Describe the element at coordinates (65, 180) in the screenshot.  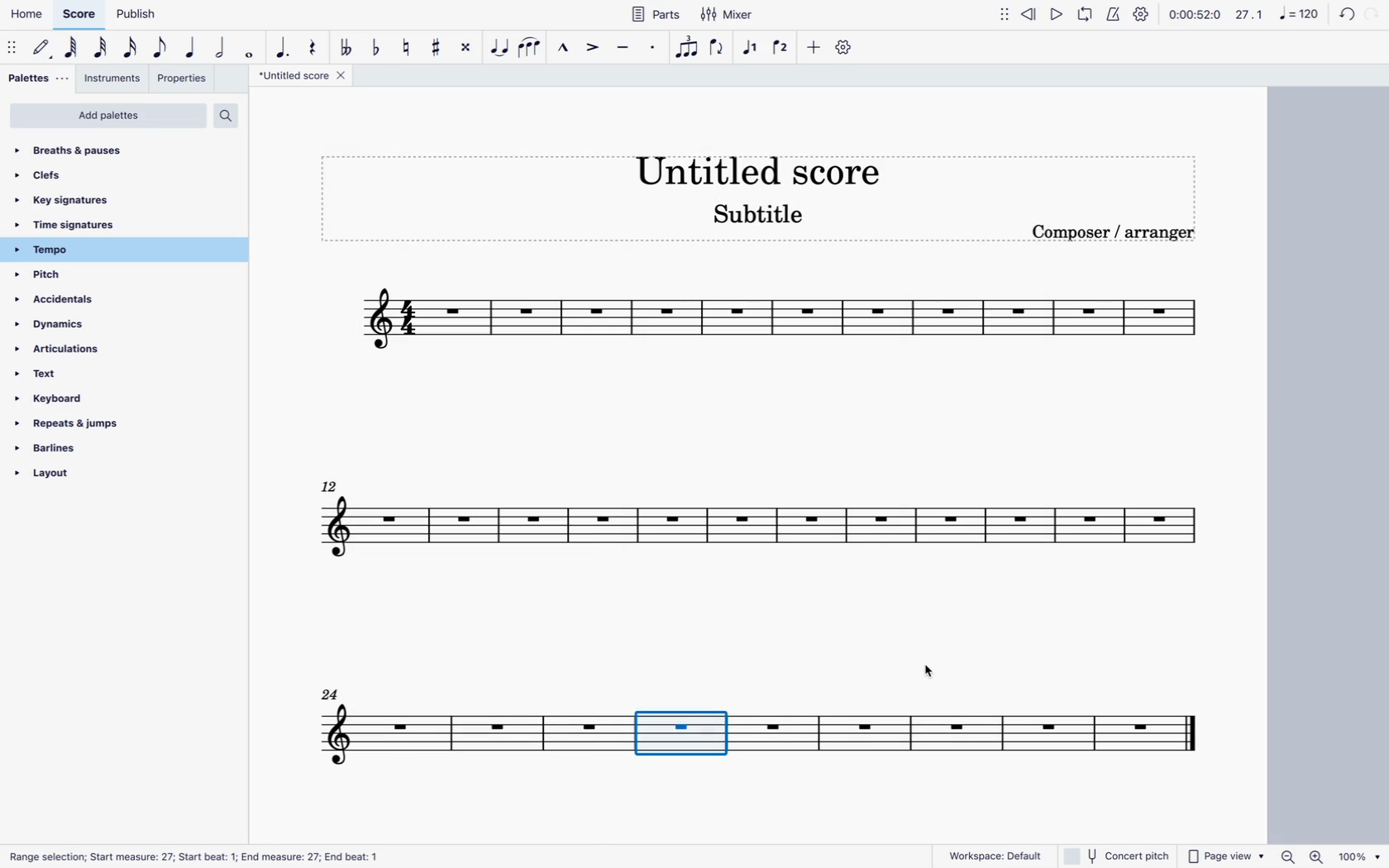
I see `clefs` at that location.